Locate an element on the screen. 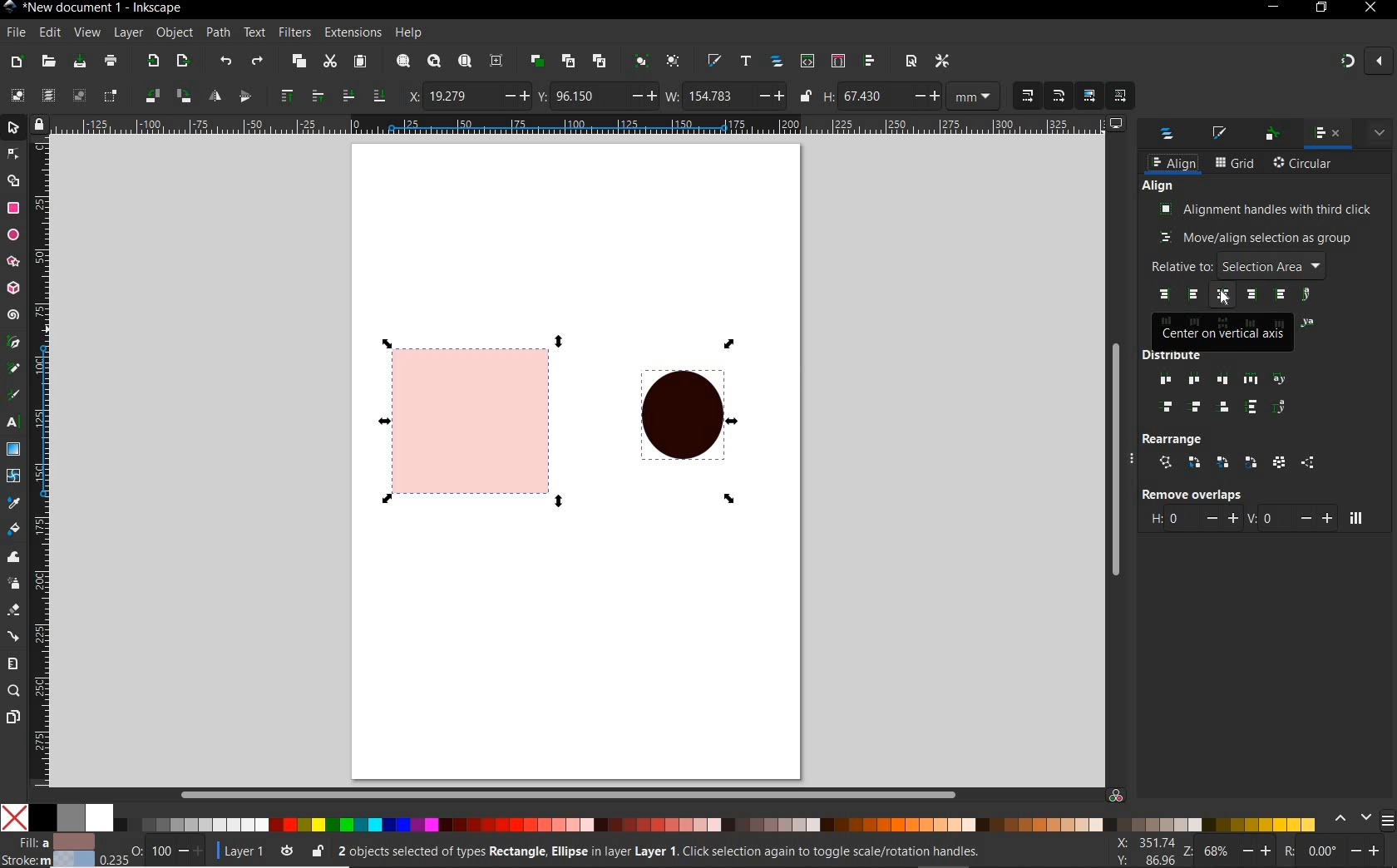 Image resolution: width=1397 pixels, height=868 pixels. help is located at coordinates (409, 33).